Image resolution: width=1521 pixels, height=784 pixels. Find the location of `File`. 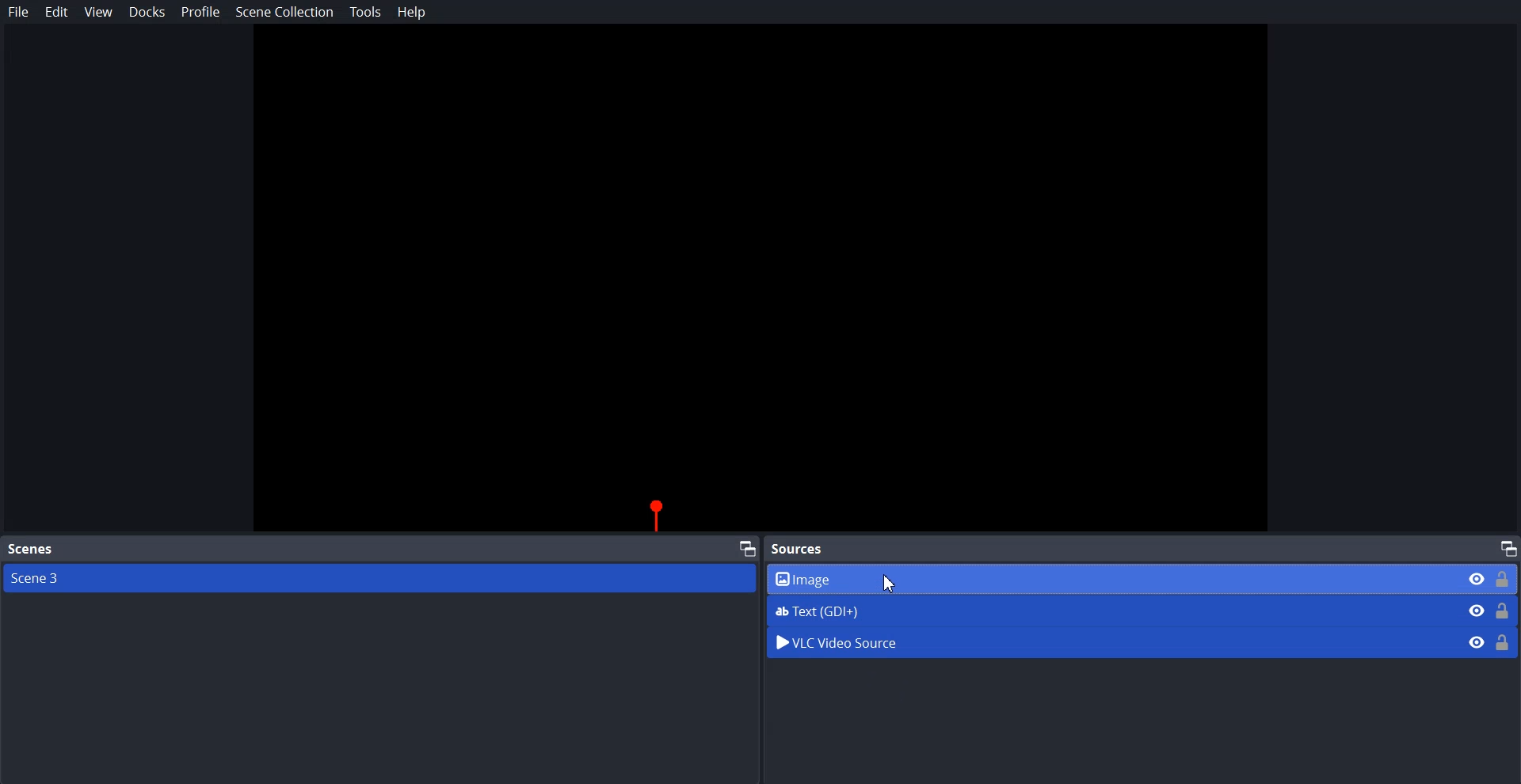

File is located at coordinates (19, 12).